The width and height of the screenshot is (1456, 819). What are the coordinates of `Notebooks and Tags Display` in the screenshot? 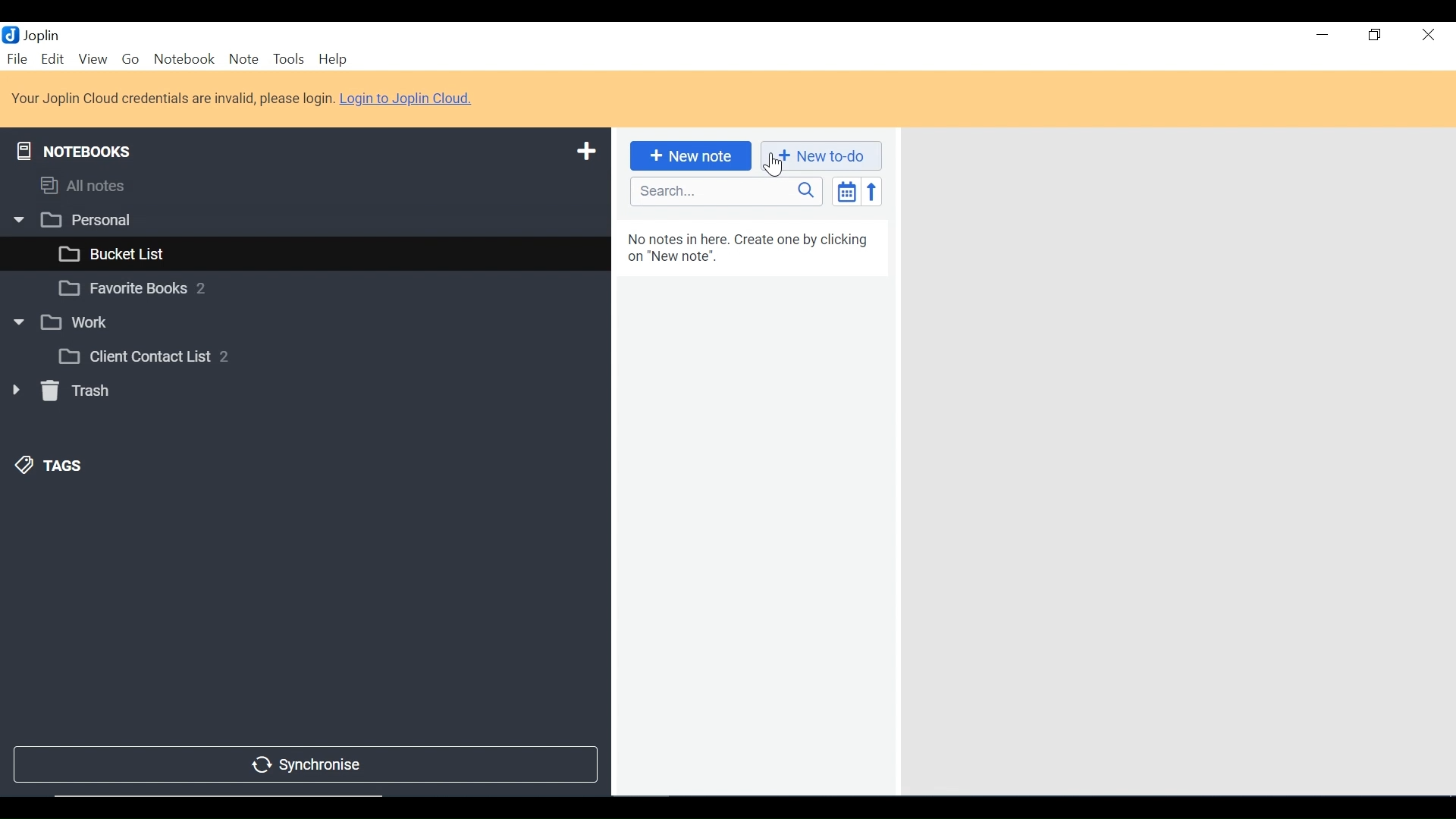 It's located at (303, 185).